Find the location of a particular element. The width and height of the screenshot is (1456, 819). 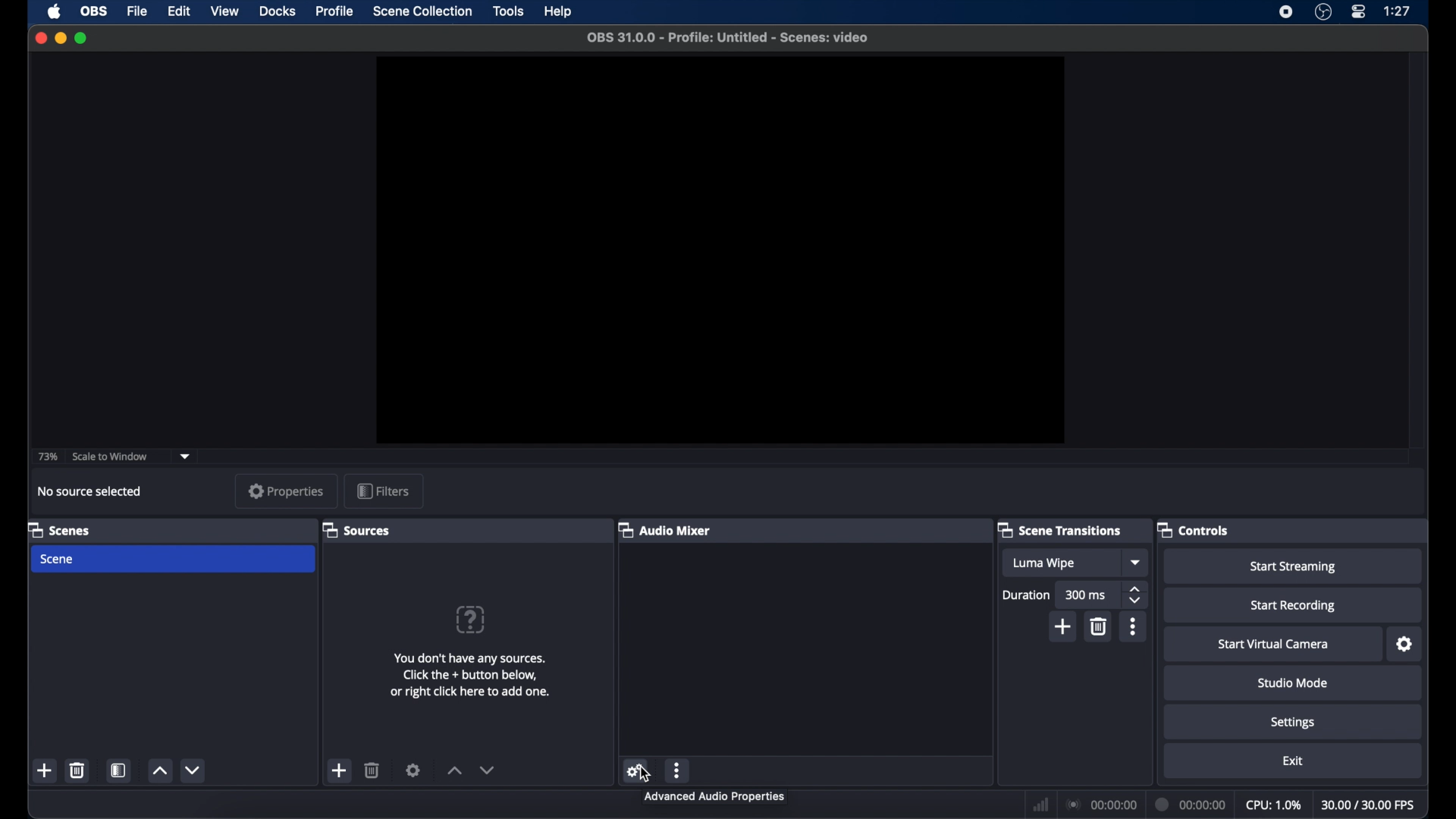

view is located at coordinates (226, 11).